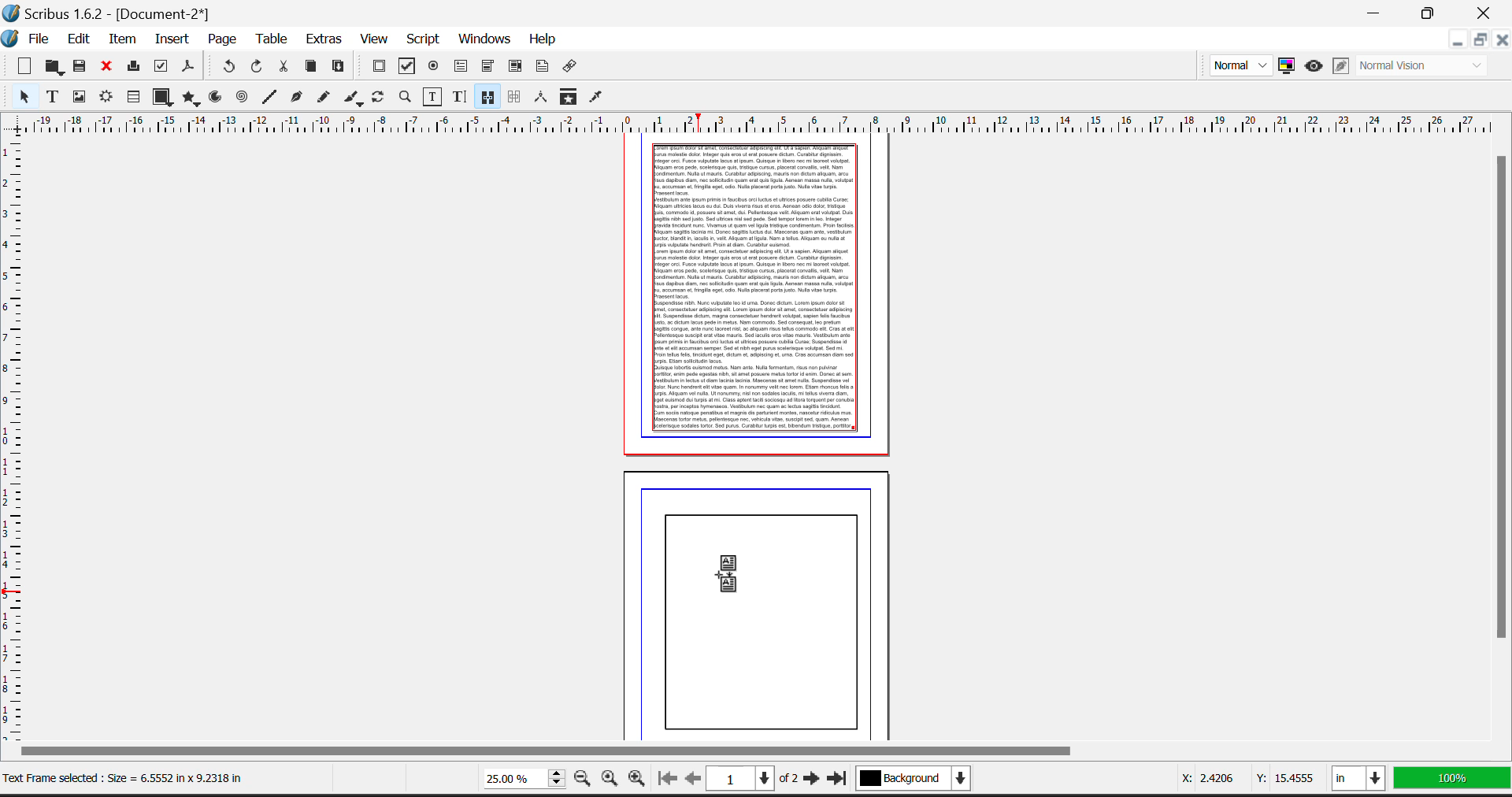  What do you see at coordinates (124, 39) in the screenshot?
I see `Item` at bounding box center [124, 39].